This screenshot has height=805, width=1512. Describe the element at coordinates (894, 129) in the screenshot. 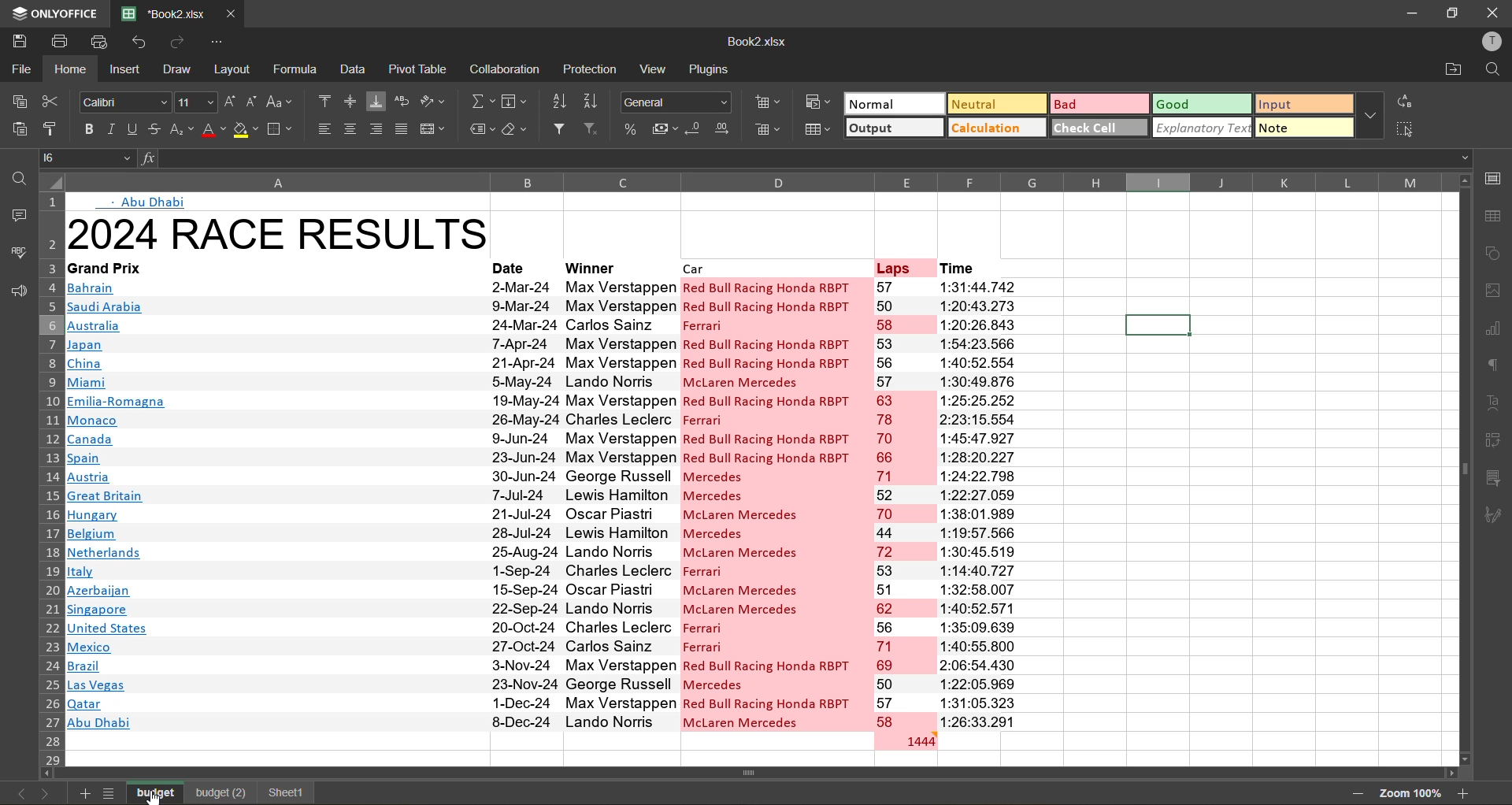

I see `output` at that location.